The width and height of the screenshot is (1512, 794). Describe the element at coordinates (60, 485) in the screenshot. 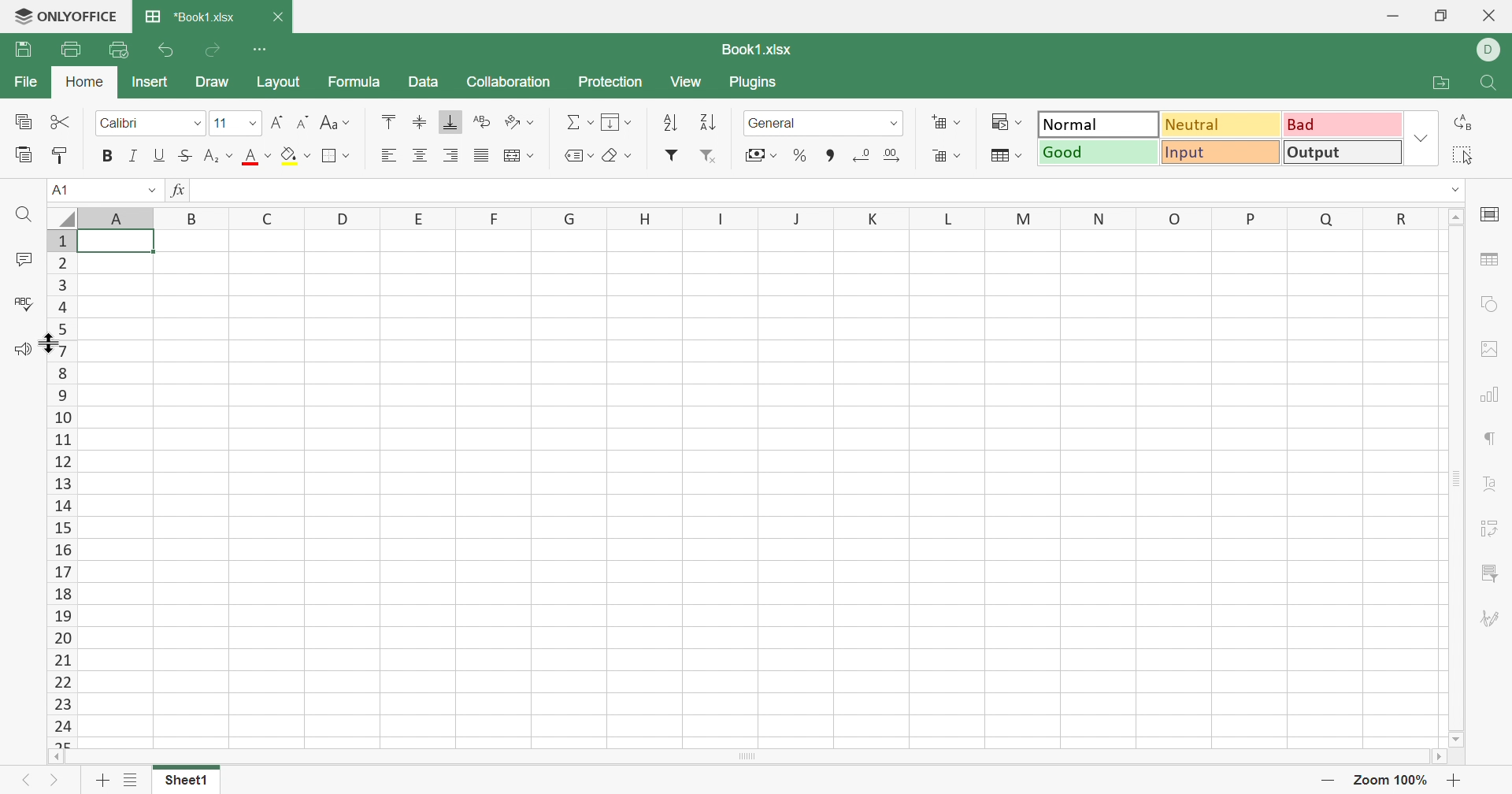

I see `Row Number` at that location.